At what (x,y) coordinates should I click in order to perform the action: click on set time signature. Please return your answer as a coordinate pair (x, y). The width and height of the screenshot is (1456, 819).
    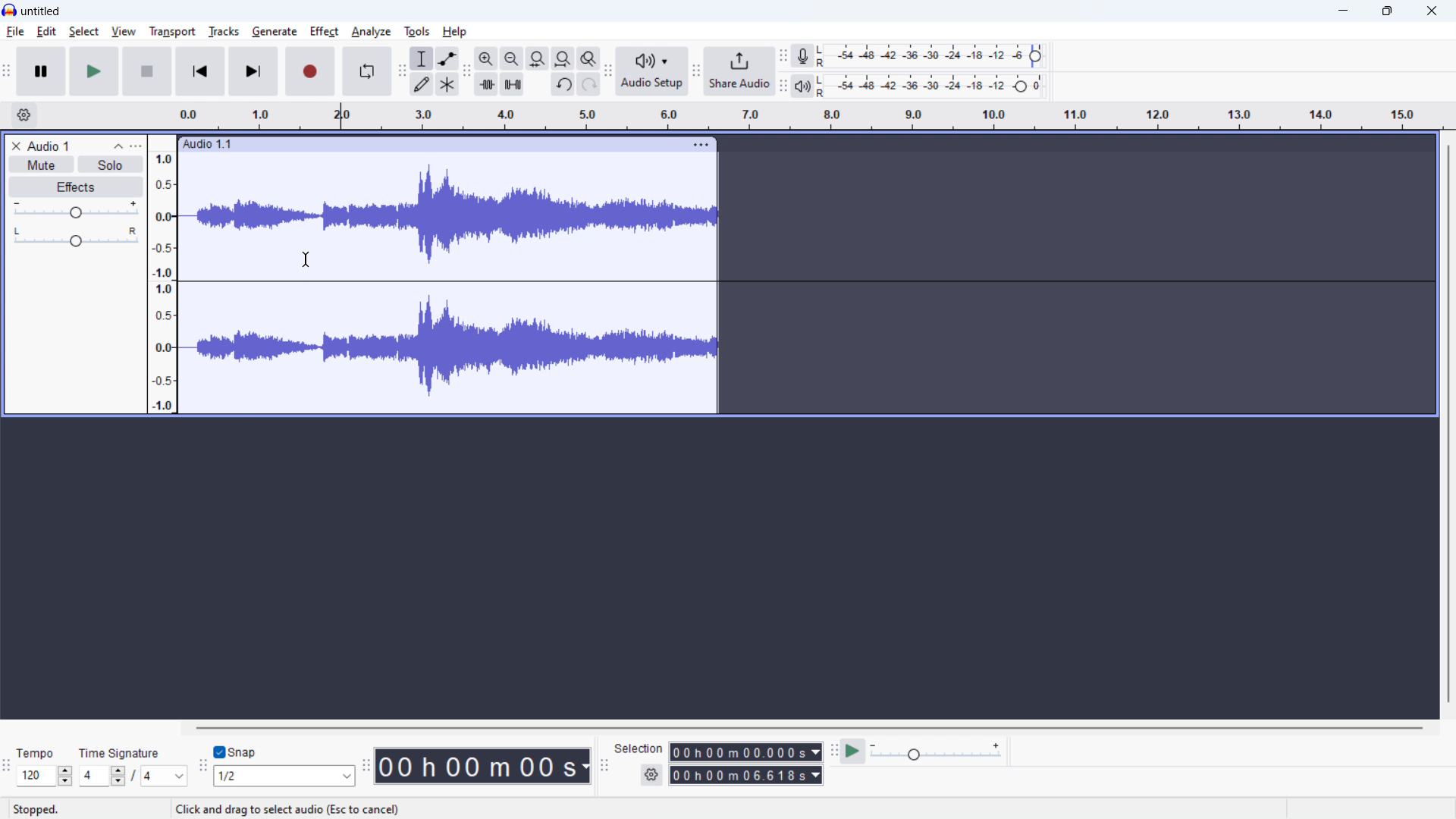
    Looking at the image, I should click on (133, 776).